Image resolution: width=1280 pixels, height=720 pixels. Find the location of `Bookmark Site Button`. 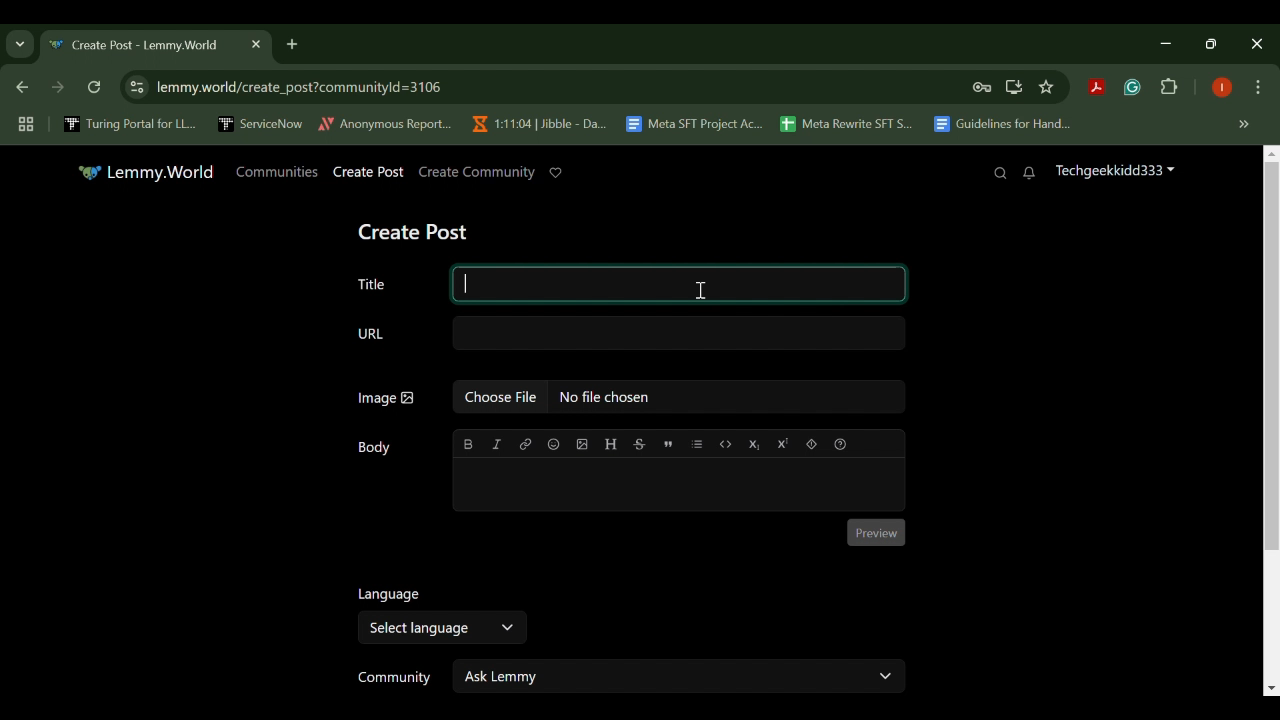

Bookmark Site Button is located at coordinates (1046, 88).